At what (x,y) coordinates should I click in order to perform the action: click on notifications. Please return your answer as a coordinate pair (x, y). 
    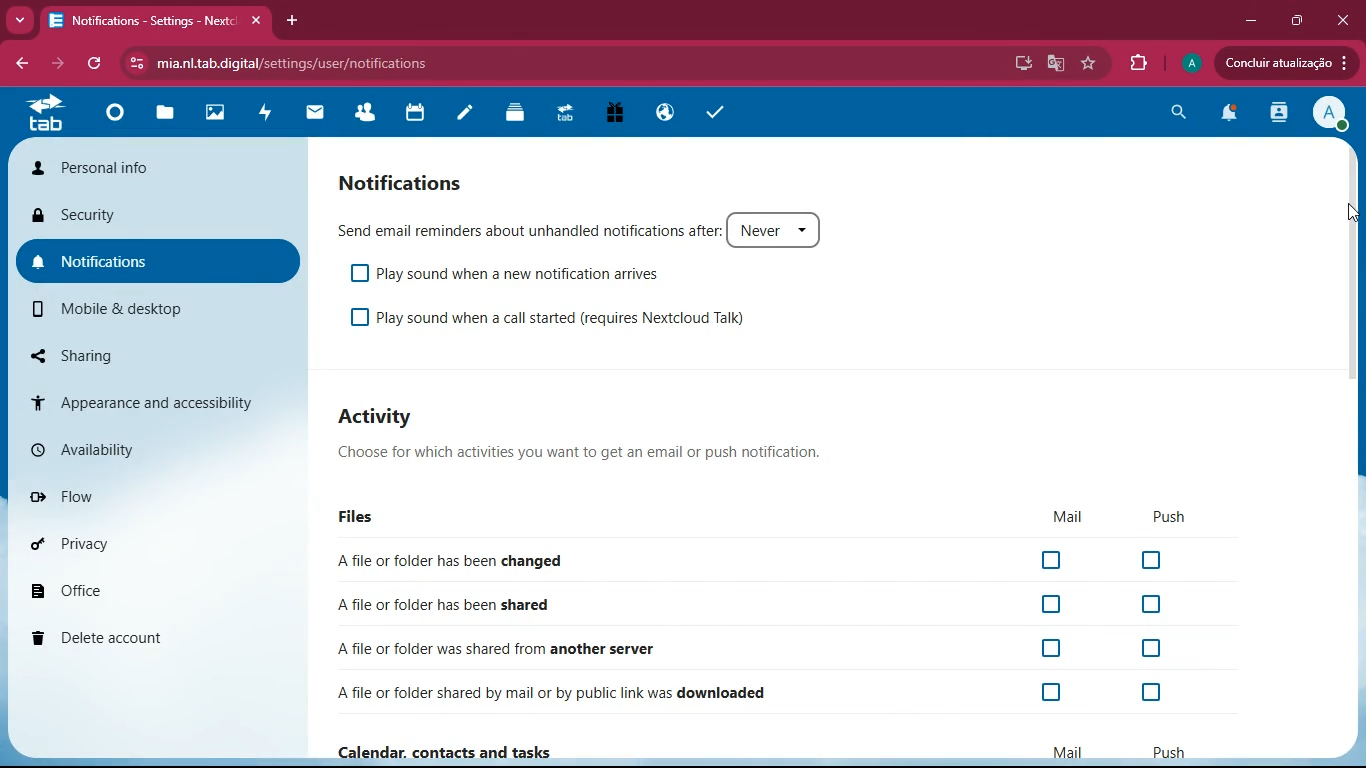
    Looking at the image, I should click on (1233, 115).